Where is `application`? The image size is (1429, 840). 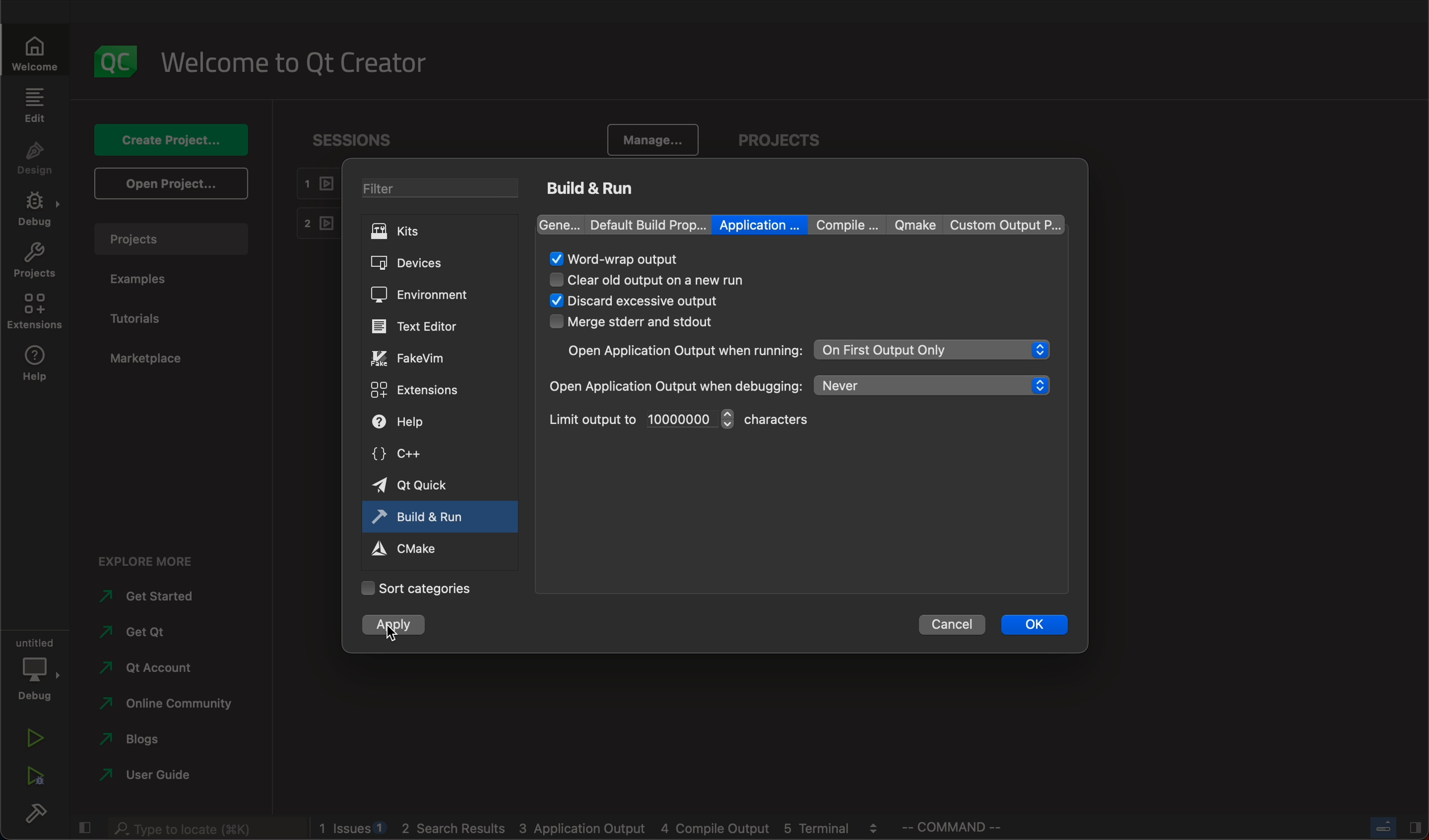
application is located at coordinates (760, 224).